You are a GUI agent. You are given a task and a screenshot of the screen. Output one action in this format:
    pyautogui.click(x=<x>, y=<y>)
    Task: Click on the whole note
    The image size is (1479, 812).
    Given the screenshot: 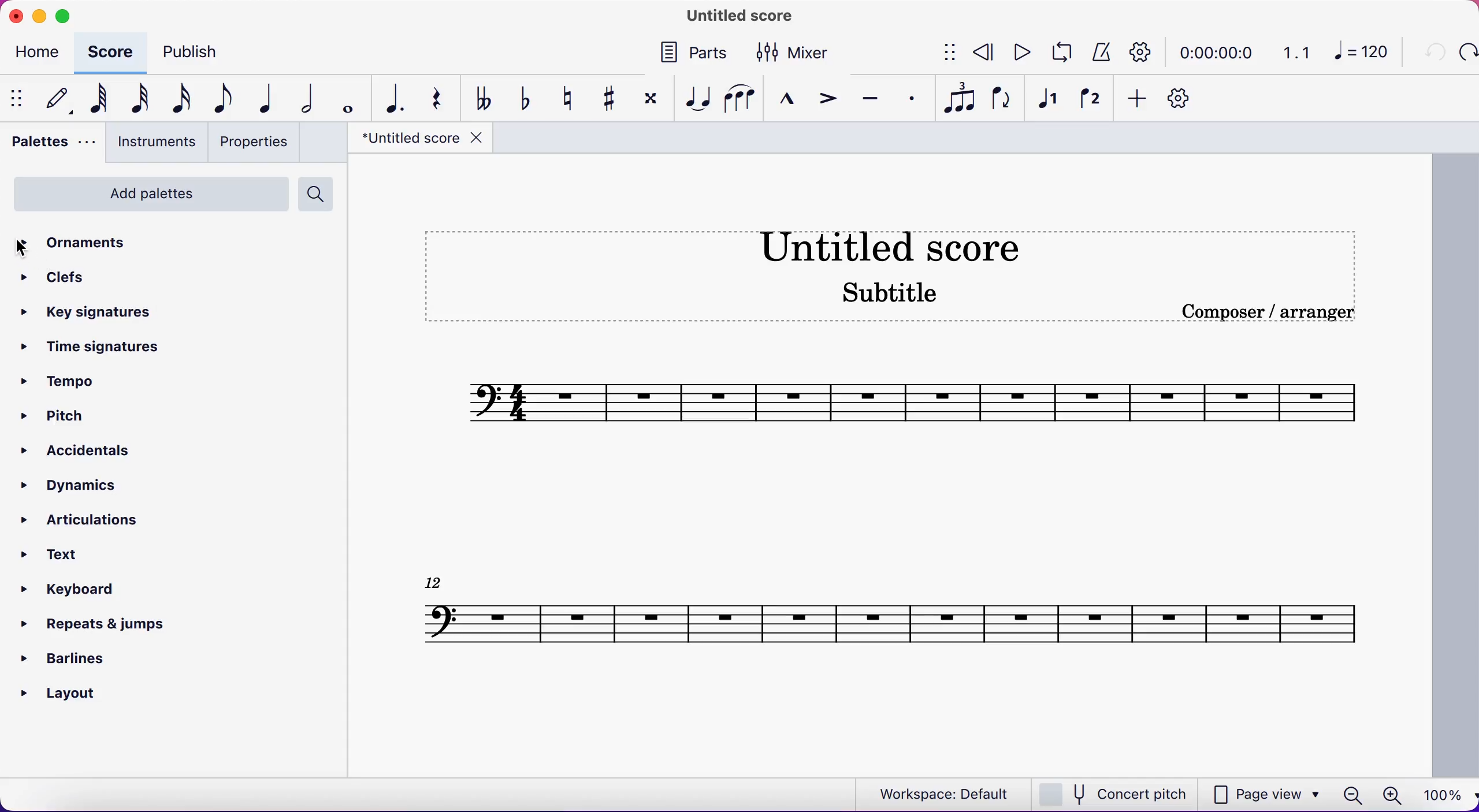 What is the action you would take?
    pyautogui.click(x=345, y=99)
    